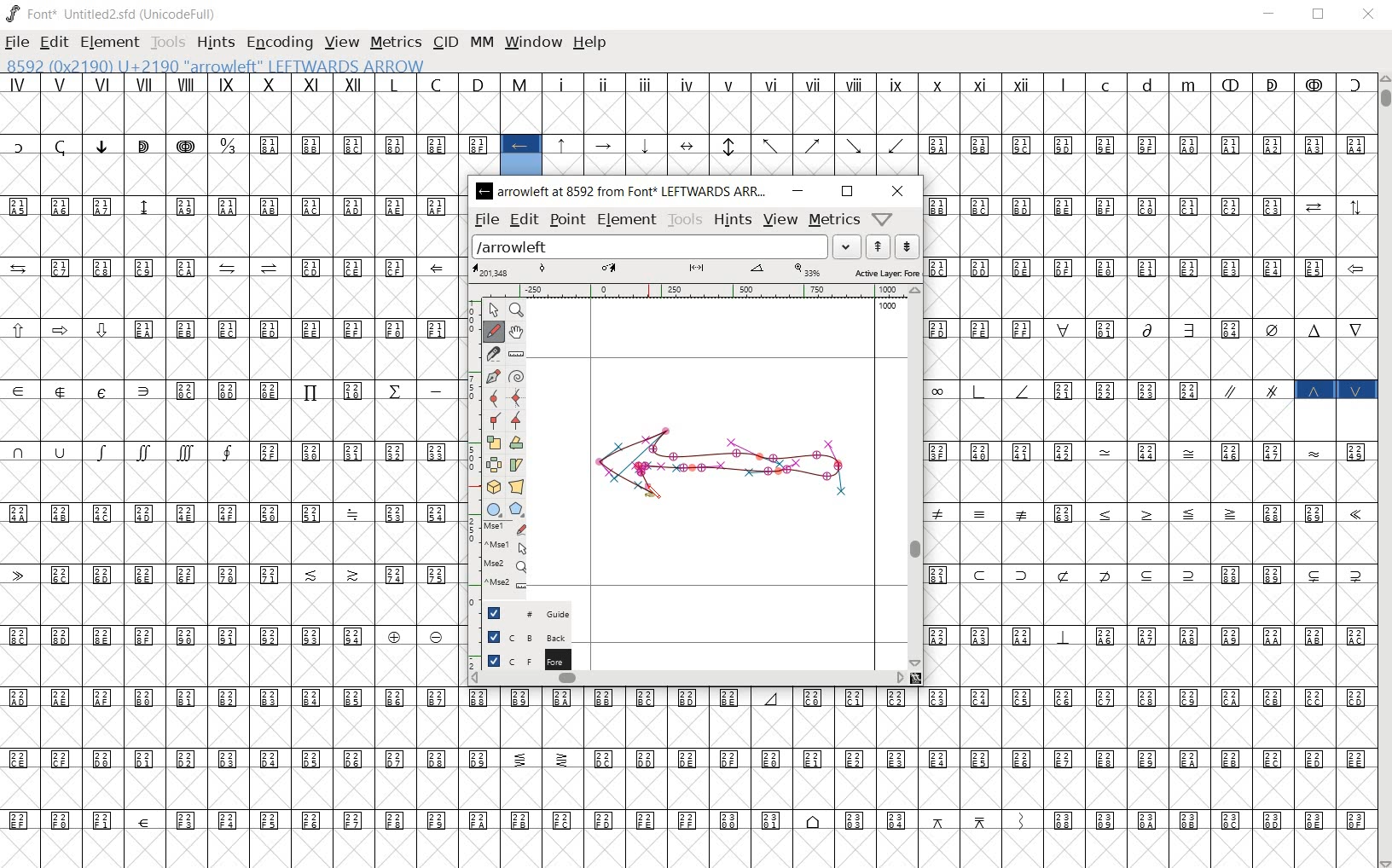 The image size is (1392, 868). Describe the element at coordinates (684, 219) in the screenshot. I see `tools` at that location.